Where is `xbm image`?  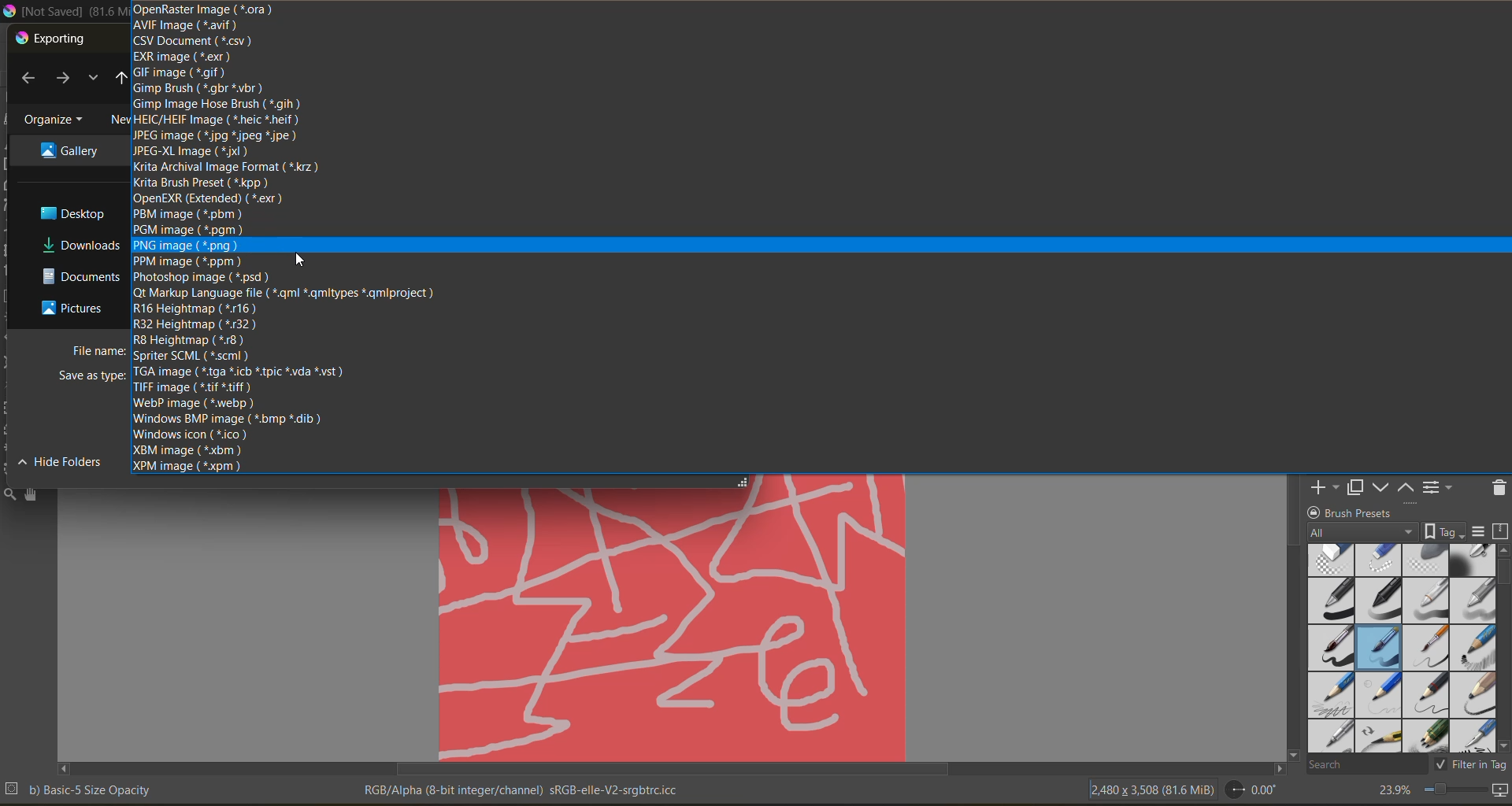 xbm image is located at coordinates (188, 449).